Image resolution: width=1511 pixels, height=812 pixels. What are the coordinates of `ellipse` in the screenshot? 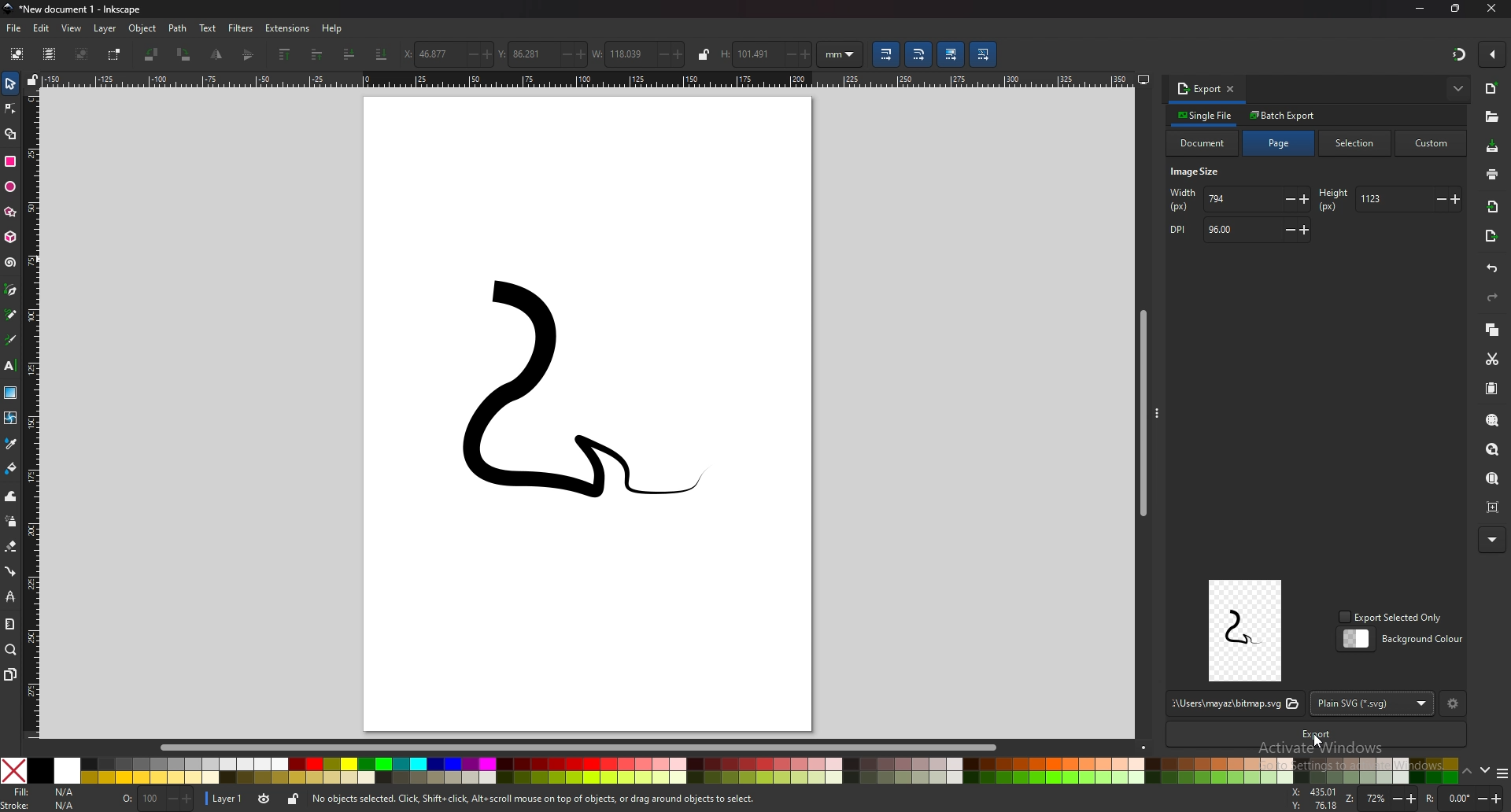 It's located at (10, 187).